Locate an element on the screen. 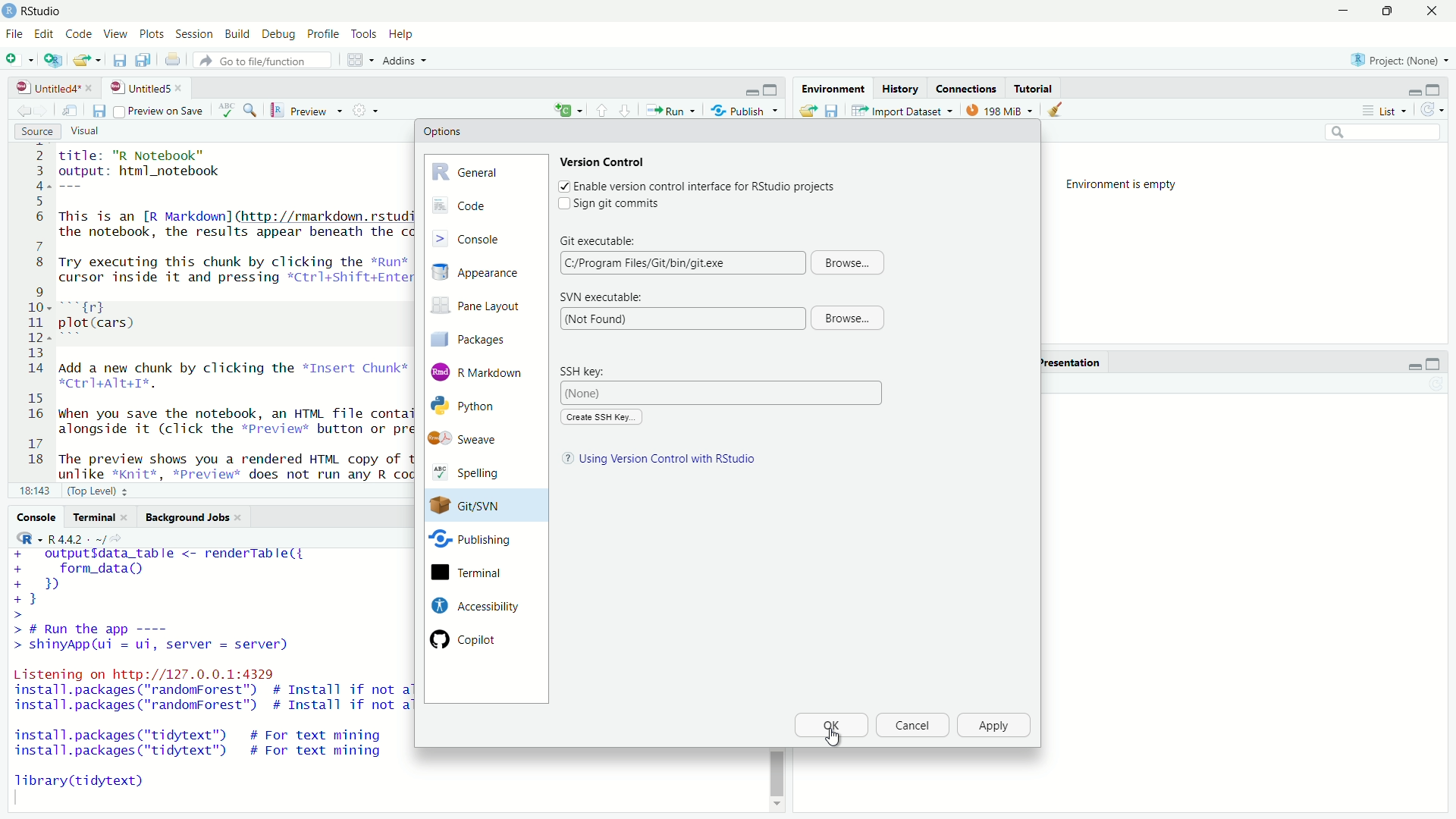 The image size is (1456, 819). logo is located at coordinates (11, 11).